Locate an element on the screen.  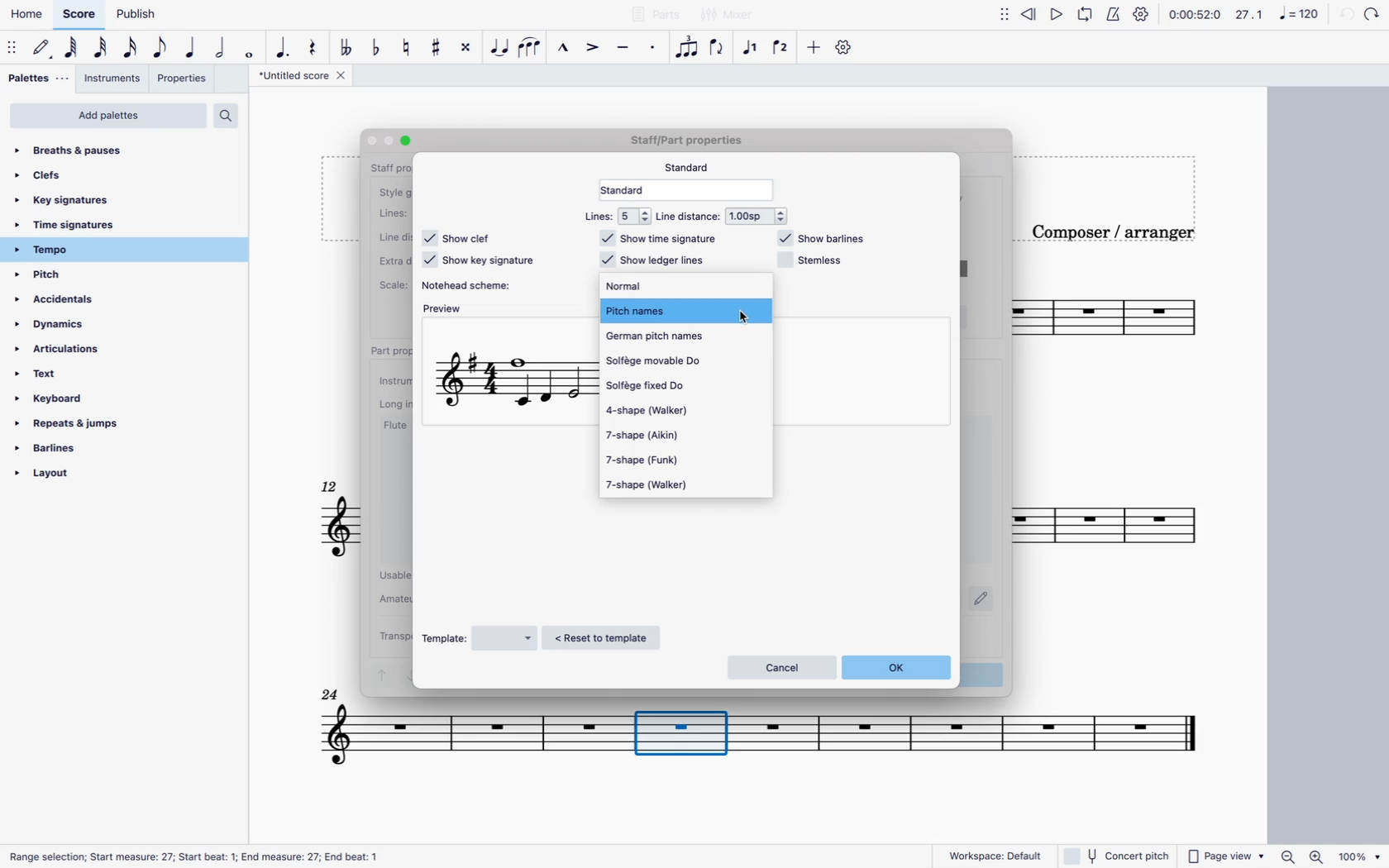
layout is located at coordinates (113, 474).